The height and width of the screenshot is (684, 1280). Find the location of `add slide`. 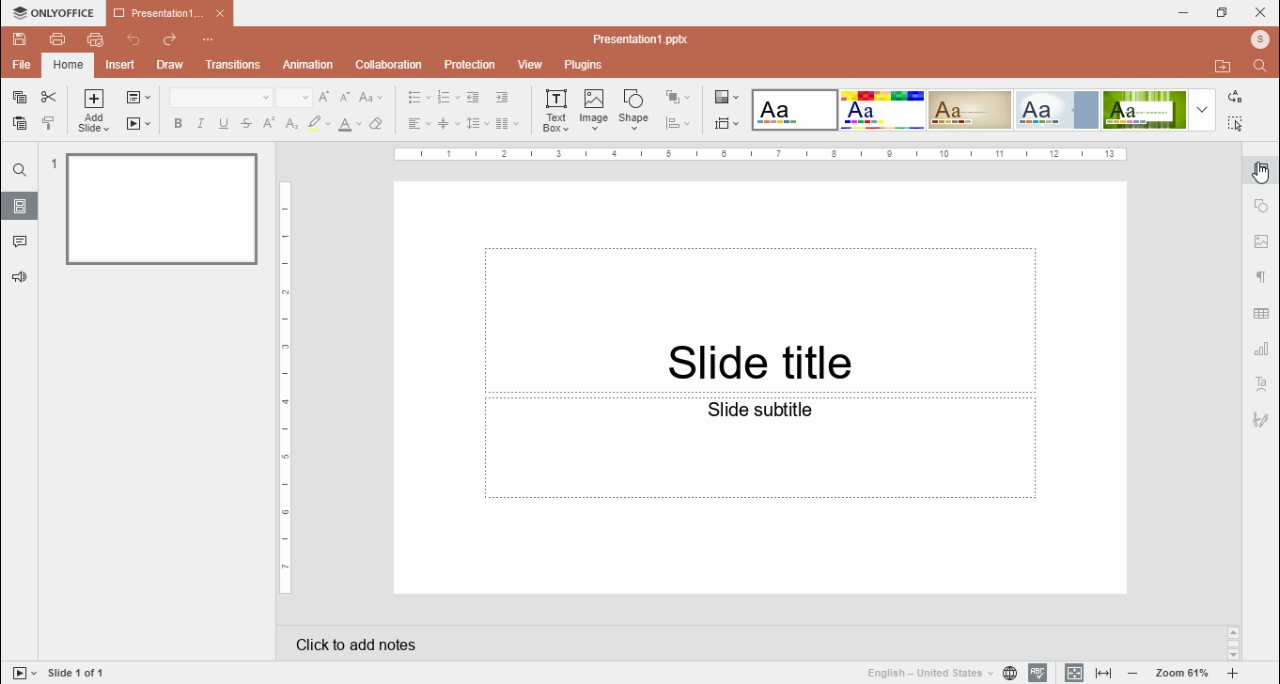

add slide is located at coordinates (93, 111).